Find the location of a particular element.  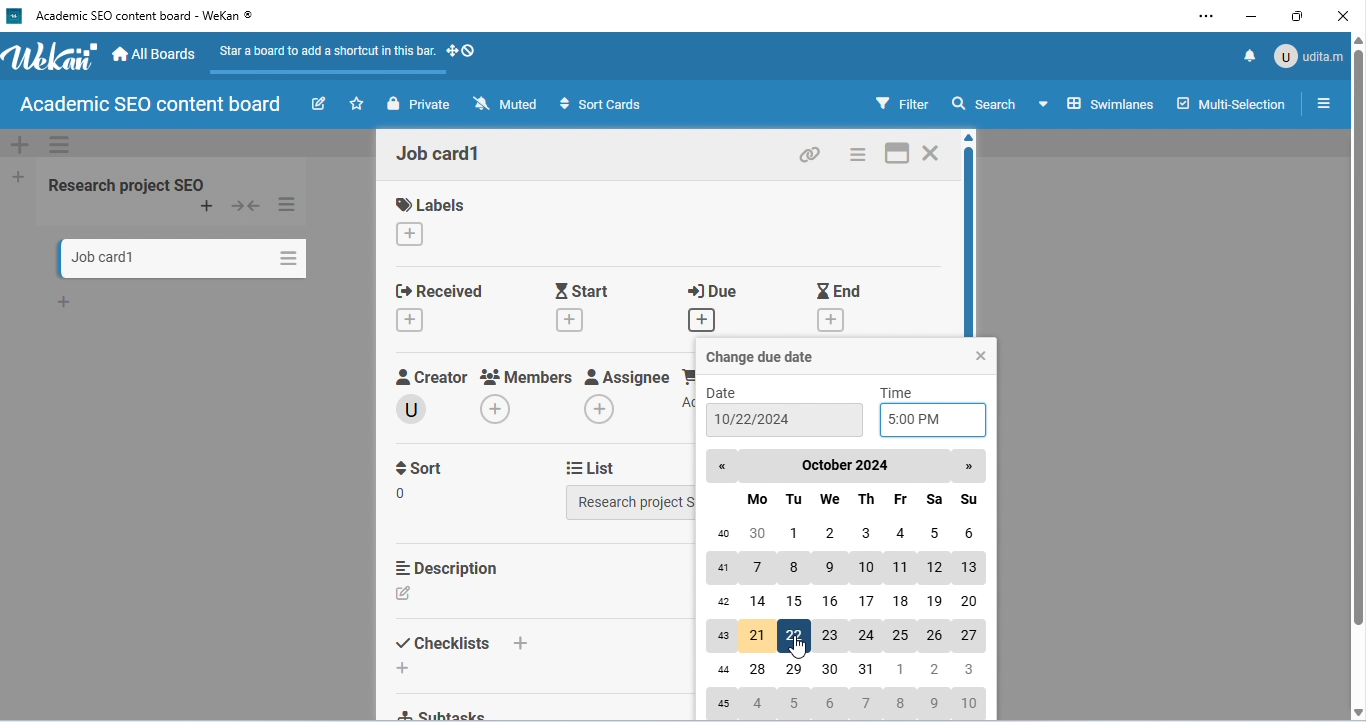

private is located at coordinates (422, 104).